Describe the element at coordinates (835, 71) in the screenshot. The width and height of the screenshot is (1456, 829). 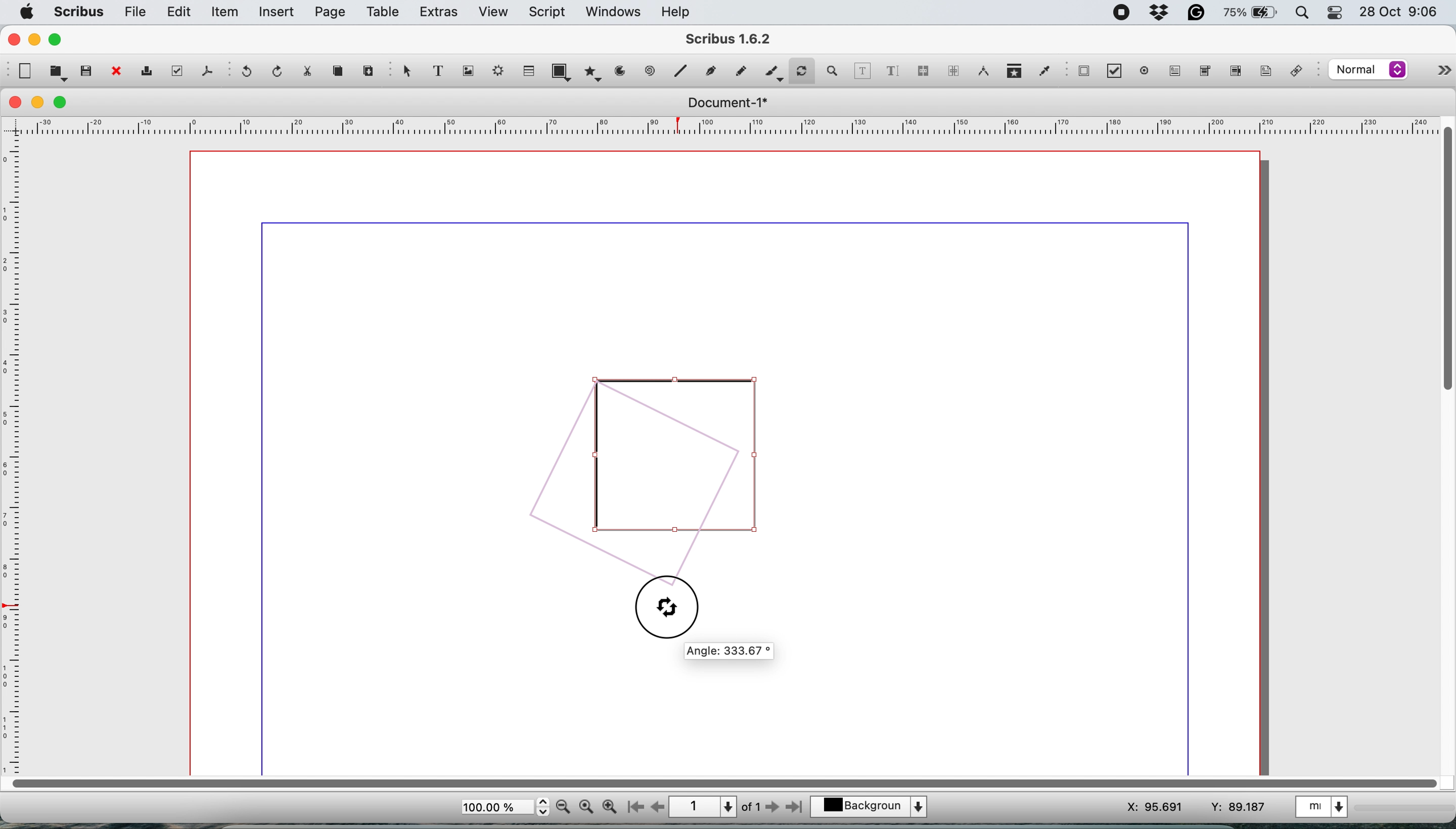
I see `zoom in and out` at that location.